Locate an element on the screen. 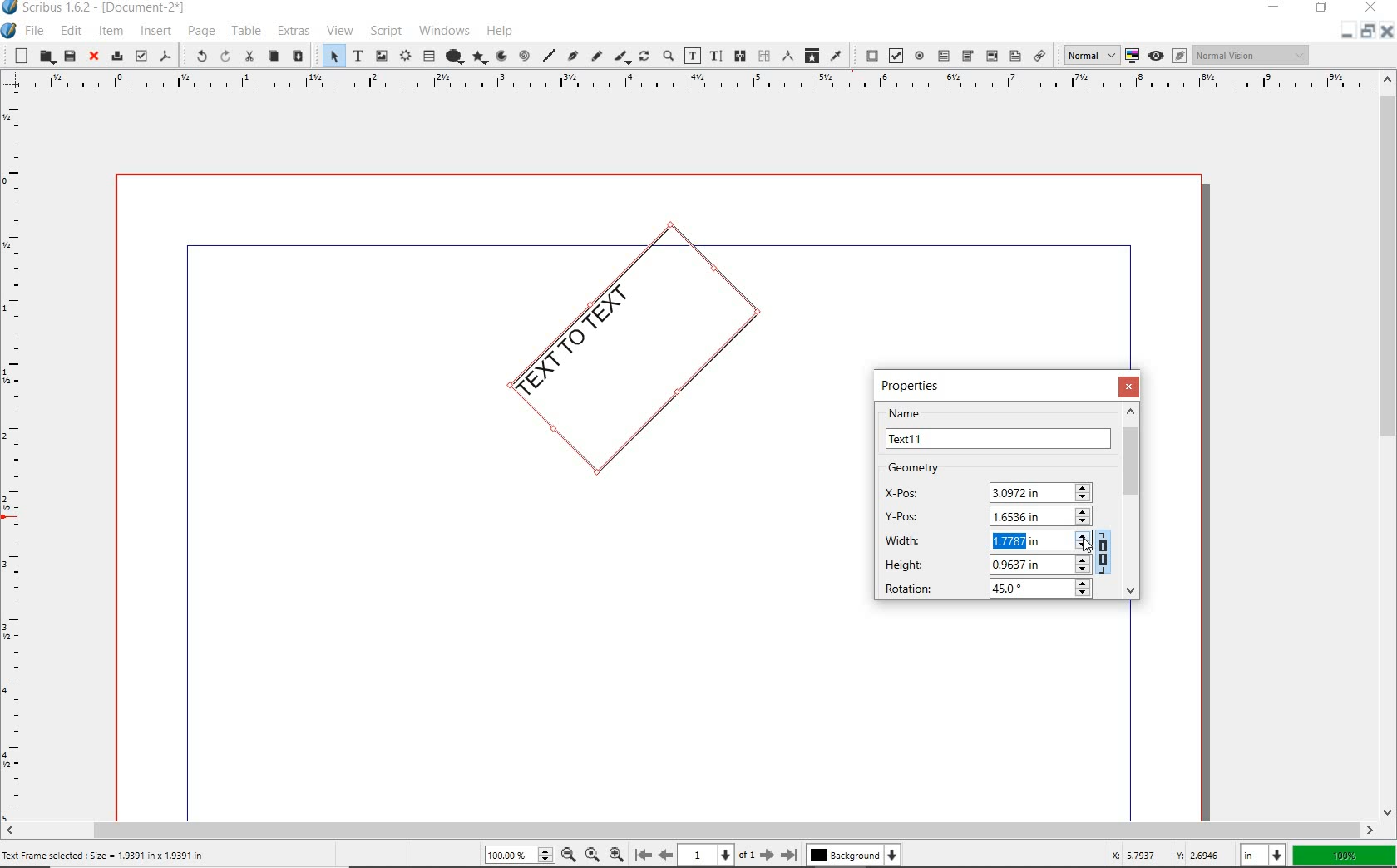 The width and height of the screenshot is (1397, 868). text frame is located at coordinates (358, 57).